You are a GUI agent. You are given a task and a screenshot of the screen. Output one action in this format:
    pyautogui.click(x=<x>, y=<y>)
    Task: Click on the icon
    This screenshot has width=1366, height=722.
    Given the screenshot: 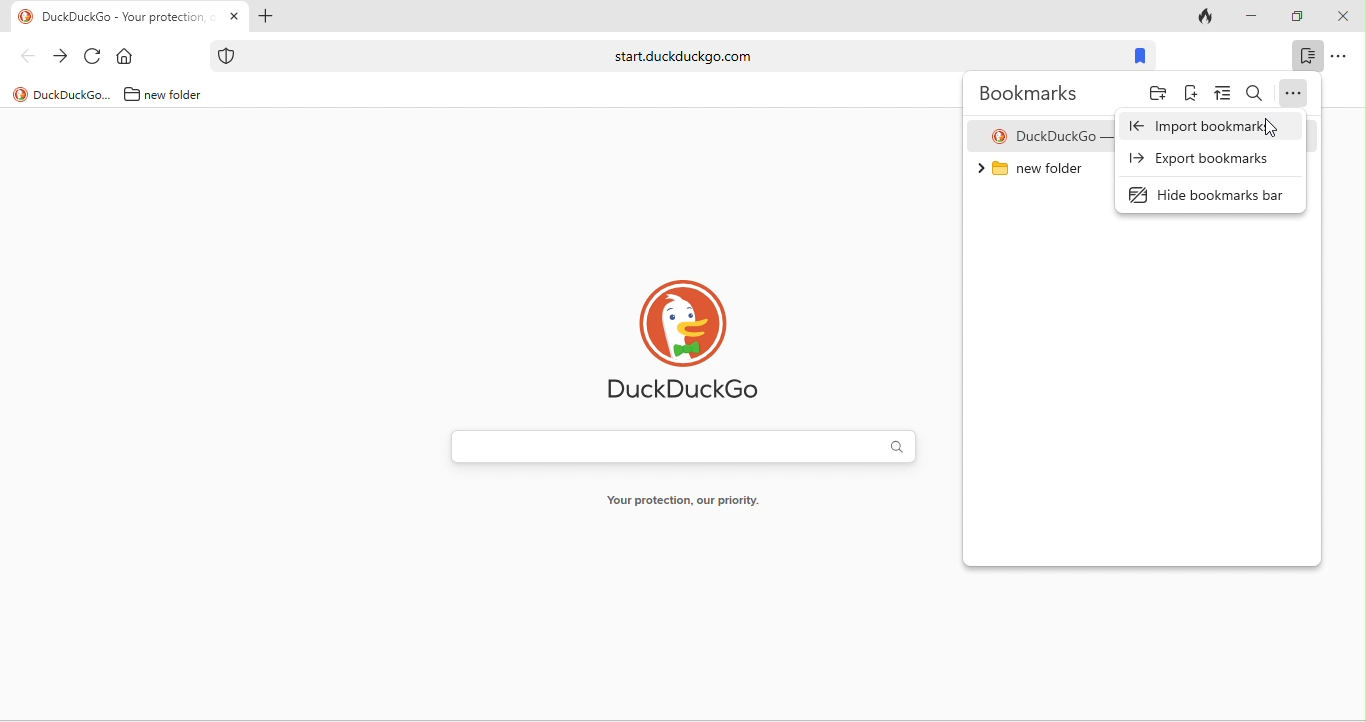 What is the action you would take?
    pyautogui.click(x=227, y=56)
    